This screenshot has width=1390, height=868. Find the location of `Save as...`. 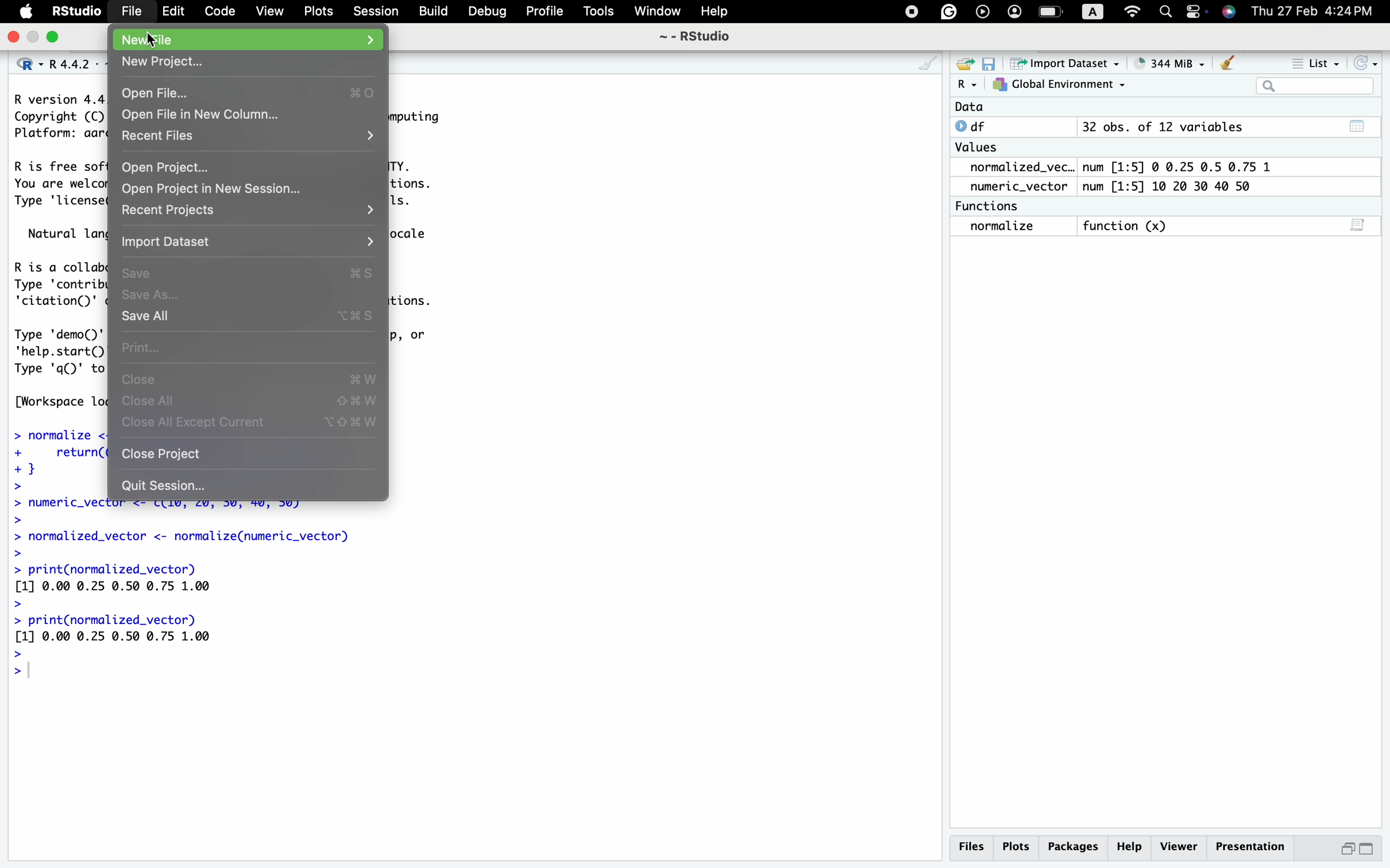

Save as... is located at coordinates (153, 296).